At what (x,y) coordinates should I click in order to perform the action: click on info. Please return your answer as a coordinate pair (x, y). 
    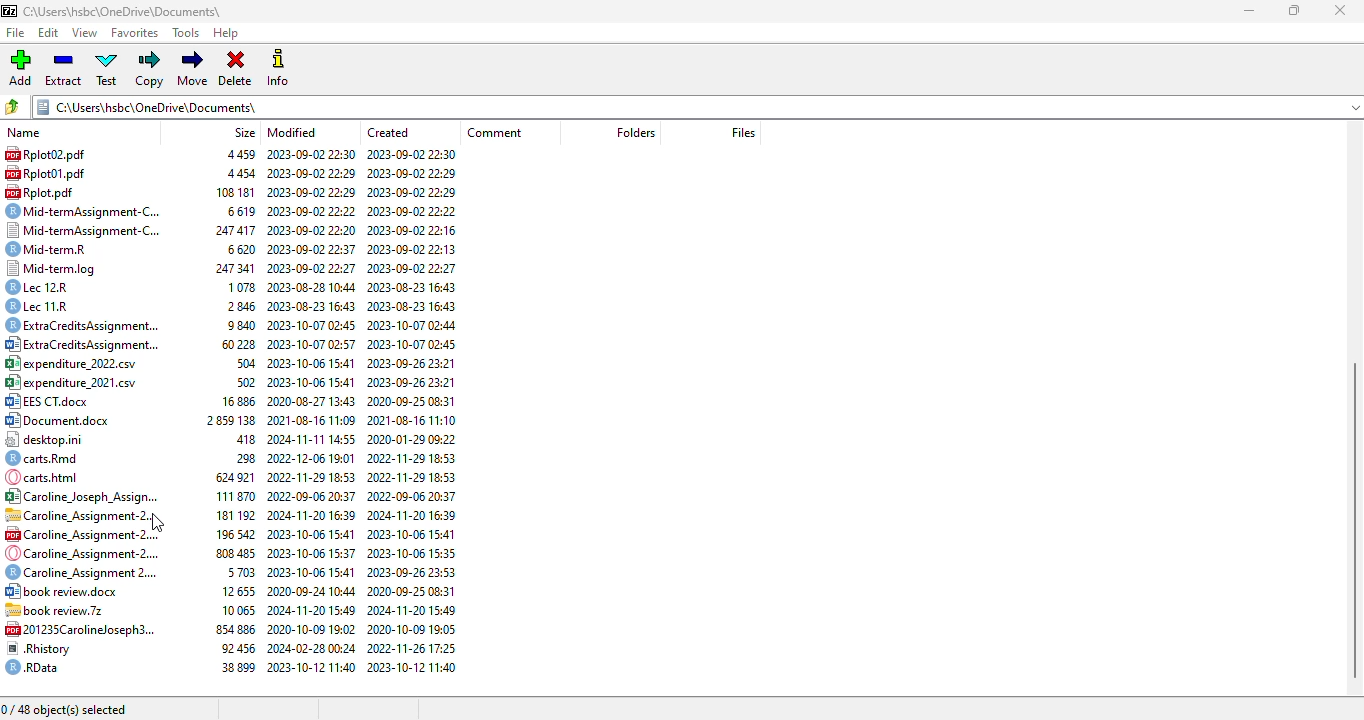
    Looking at the image, I should click on (280, 67).